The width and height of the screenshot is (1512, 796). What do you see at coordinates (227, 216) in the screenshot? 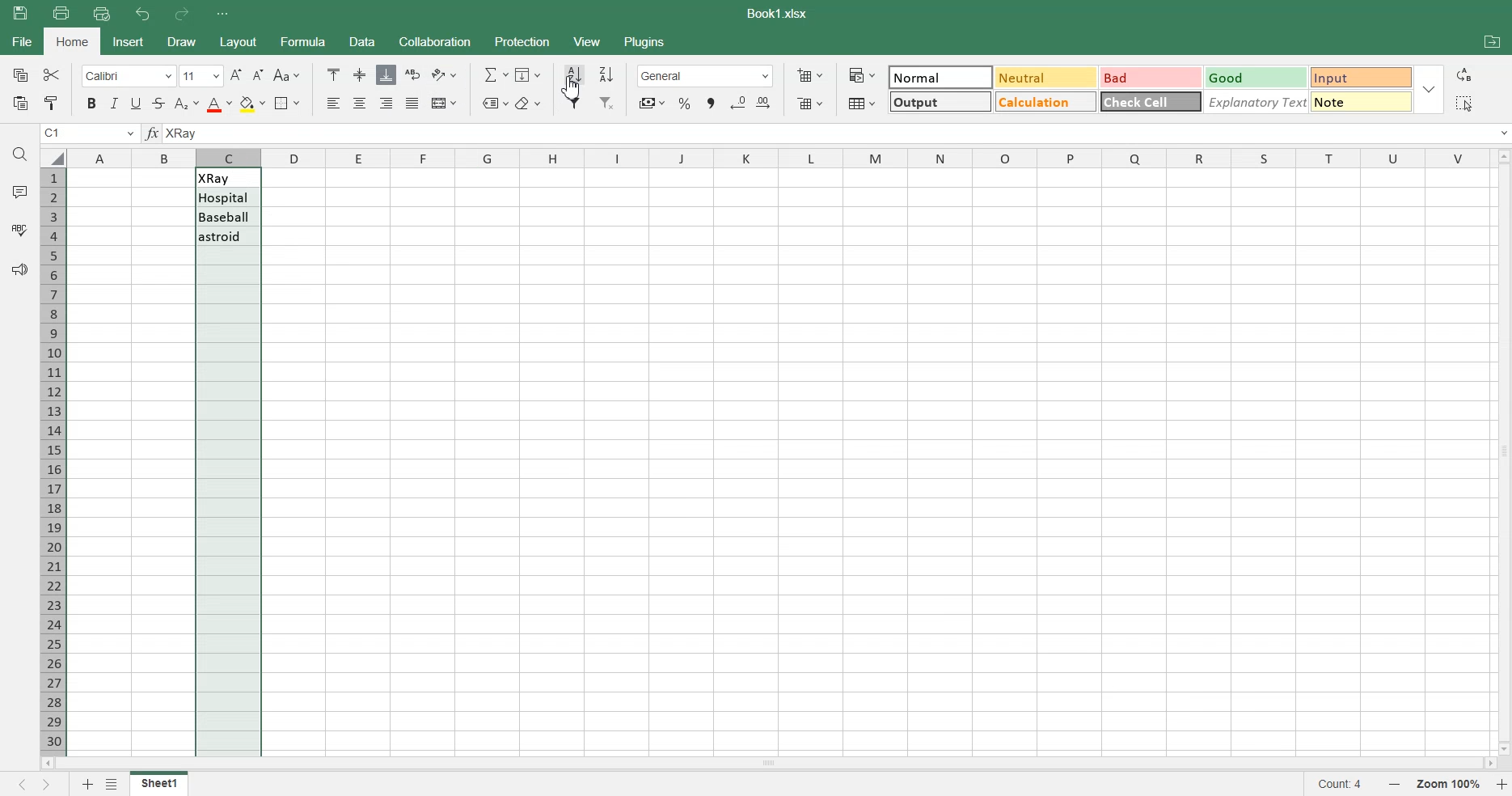
I see `baseball` at bounding box center [227, 216].